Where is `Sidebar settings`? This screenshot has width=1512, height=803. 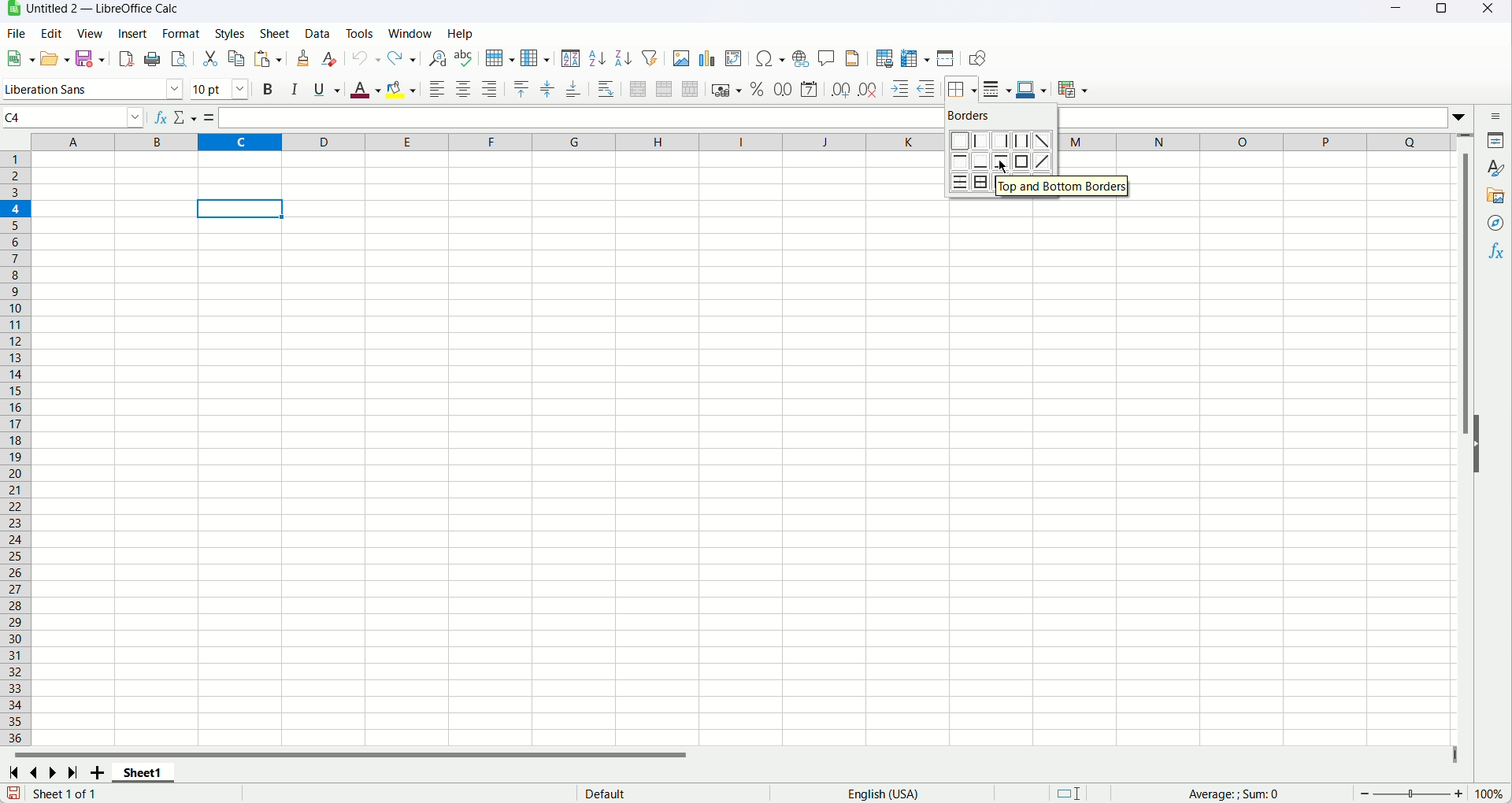
Sidebar settings is located at coordinates (1490, 116).